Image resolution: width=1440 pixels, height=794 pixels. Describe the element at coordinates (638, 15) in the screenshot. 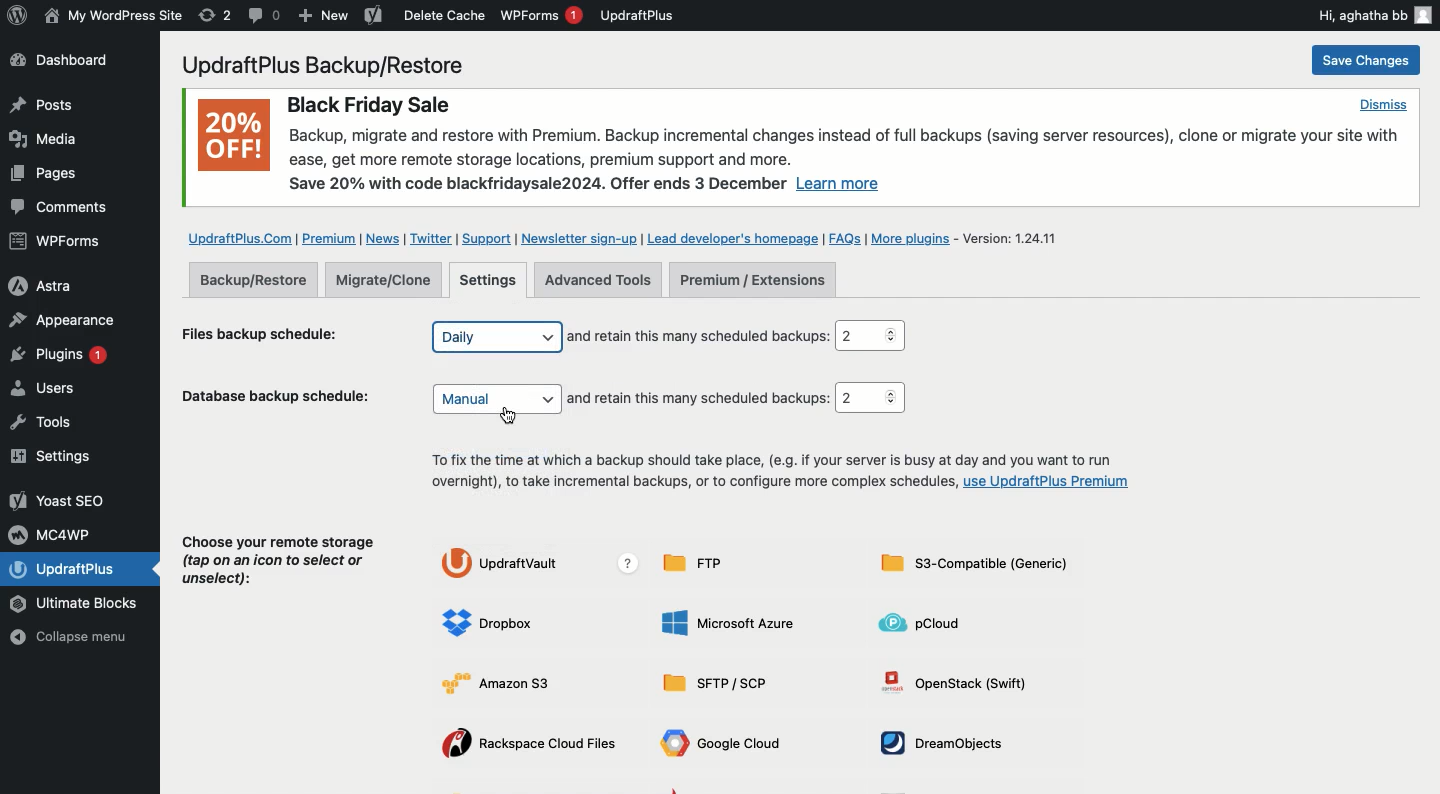

I see `UpdraftPlus` at that location.